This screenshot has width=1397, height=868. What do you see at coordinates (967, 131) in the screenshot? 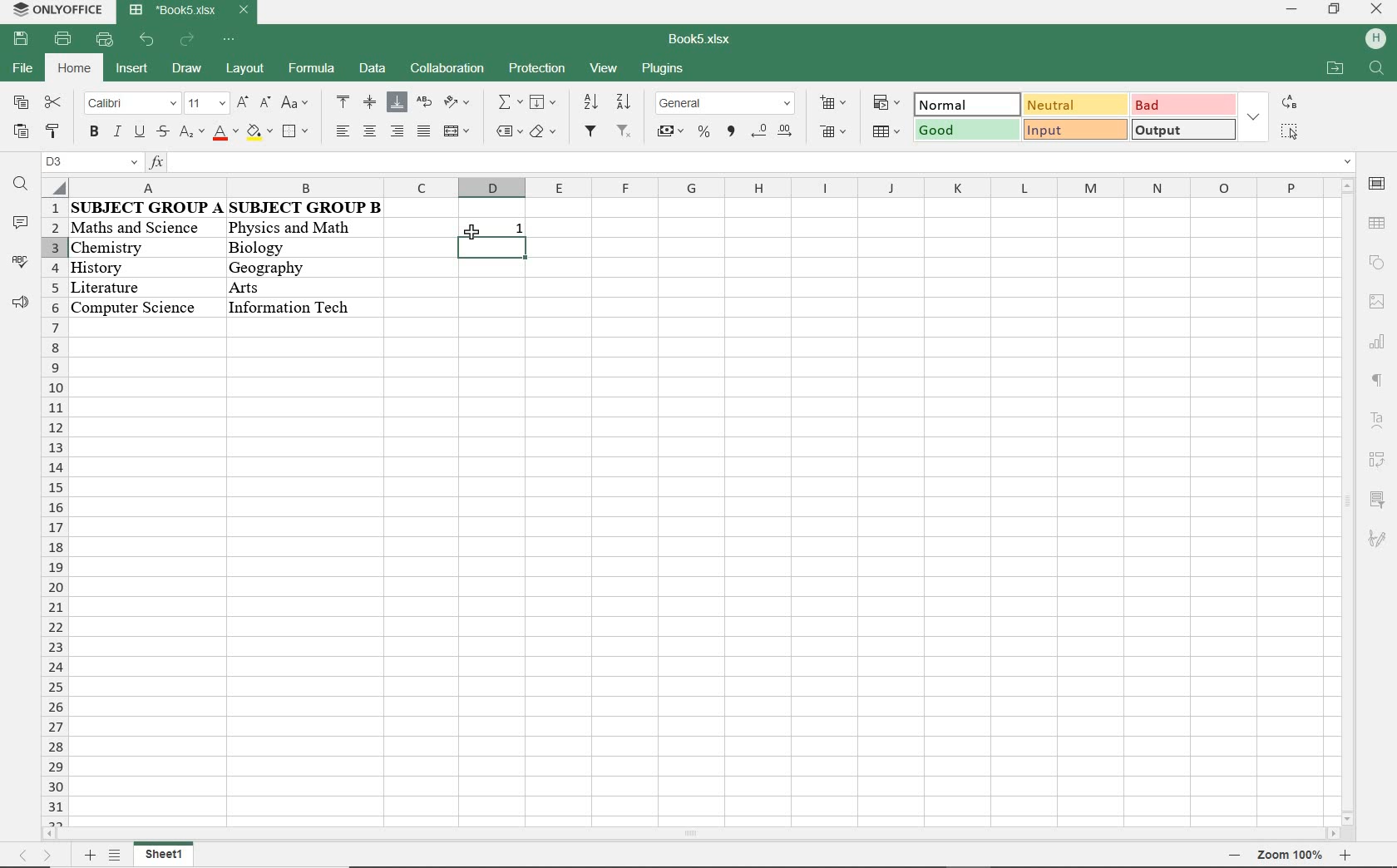
I see `good` at bounding box center [967, 131].